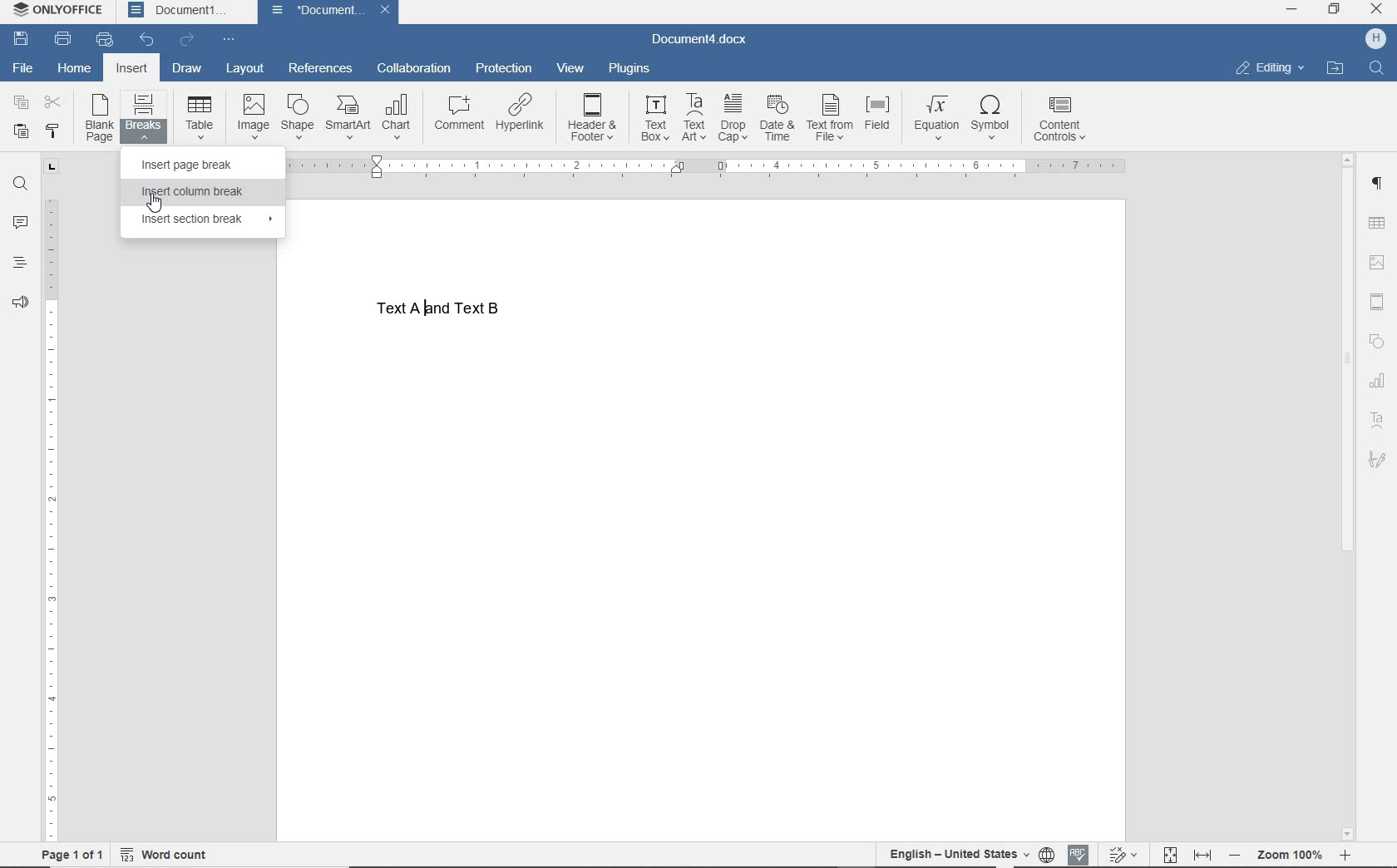  I want to click on IMAGE, so click(250, 117).